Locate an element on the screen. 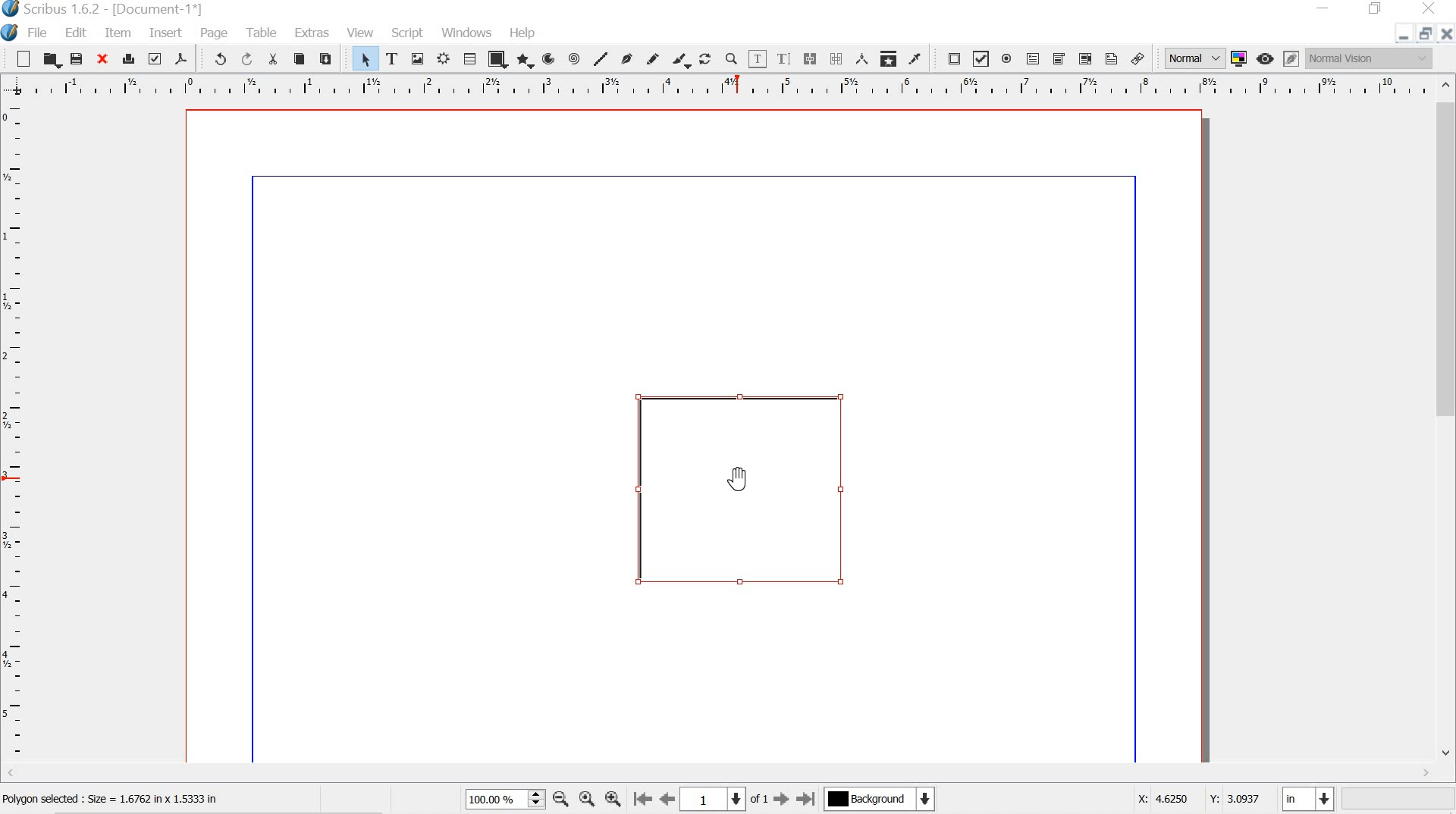 The height and width of the screenshot is (814, 1456). pdf radio button is located at coordinates (1006, 61).